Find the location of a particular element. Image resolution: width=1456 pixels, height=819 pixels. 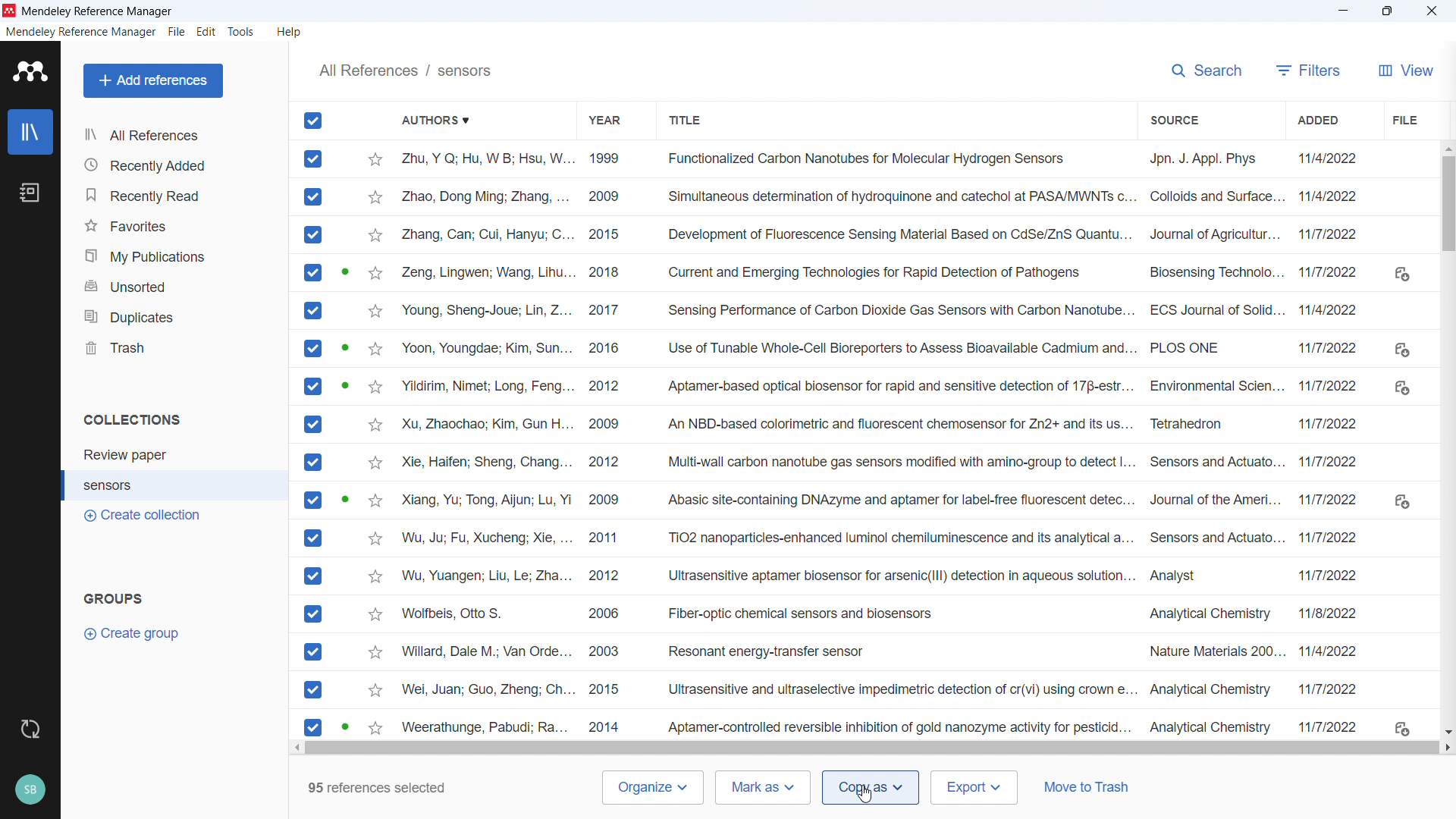

collection 2 is located at coordinates (175, 485).